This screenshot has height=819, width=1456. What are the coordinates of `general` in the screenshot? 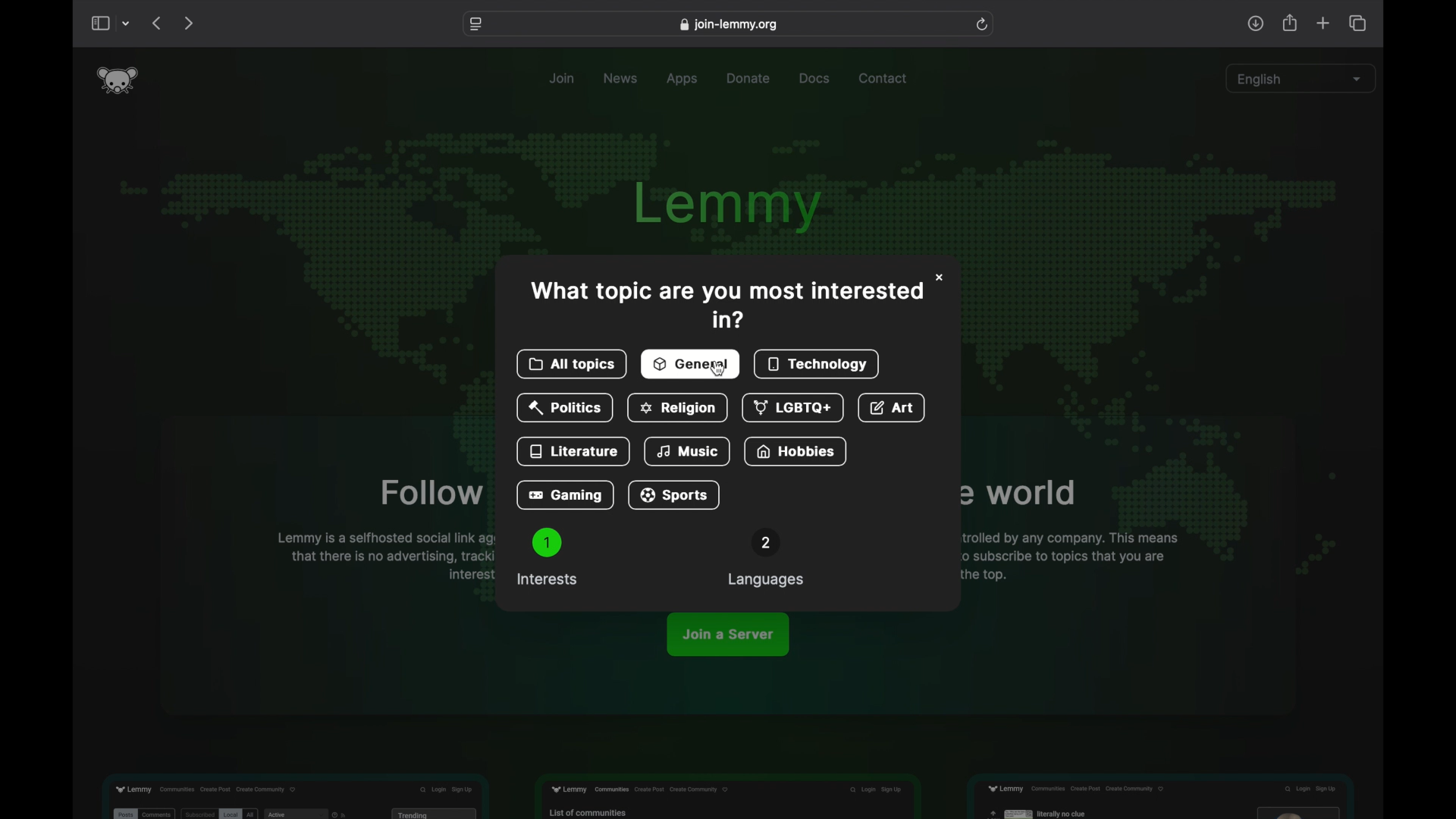 It's located at (692, 364).